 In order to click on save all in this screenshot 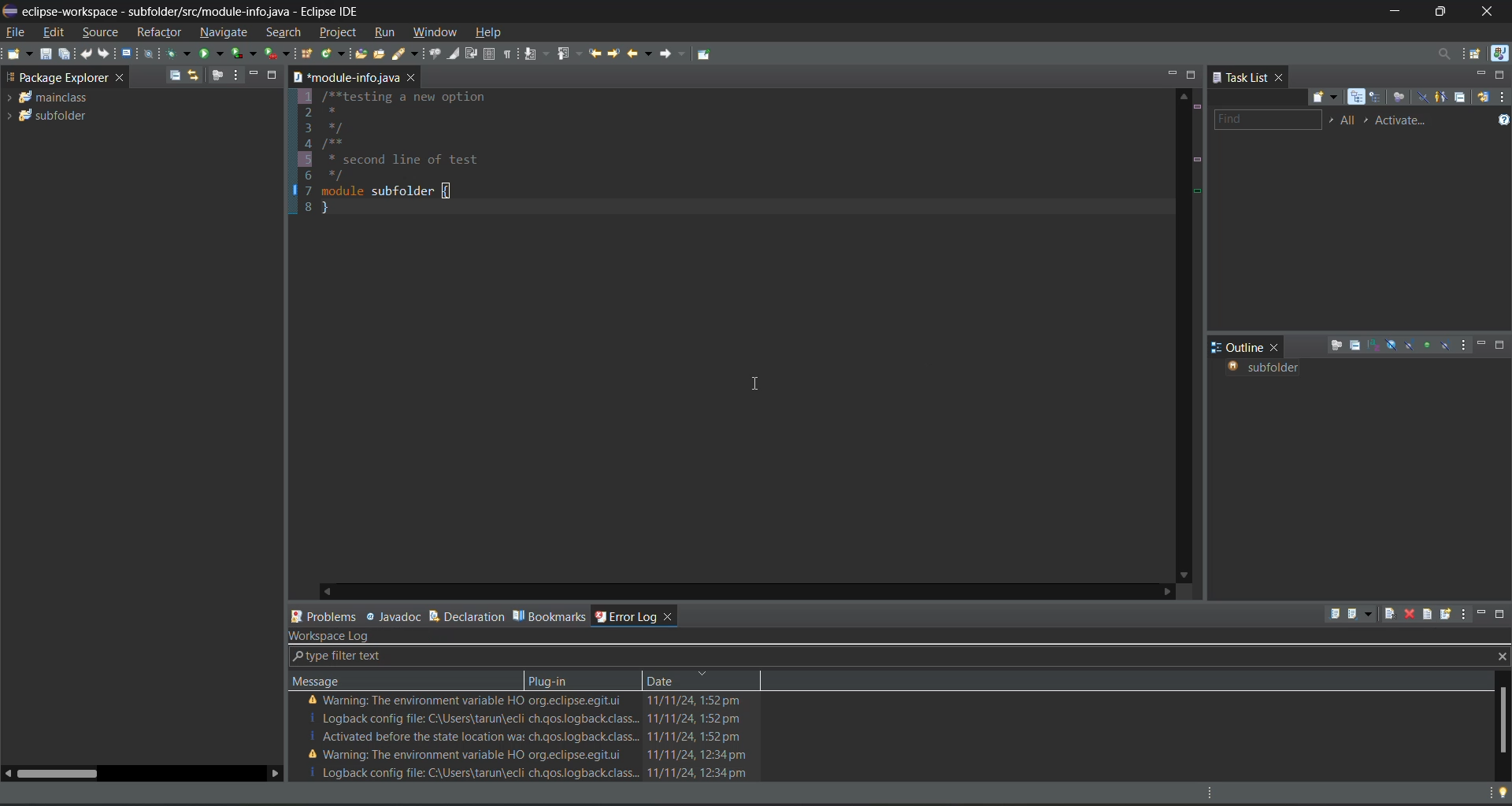, I will do `click(64, 53)`.